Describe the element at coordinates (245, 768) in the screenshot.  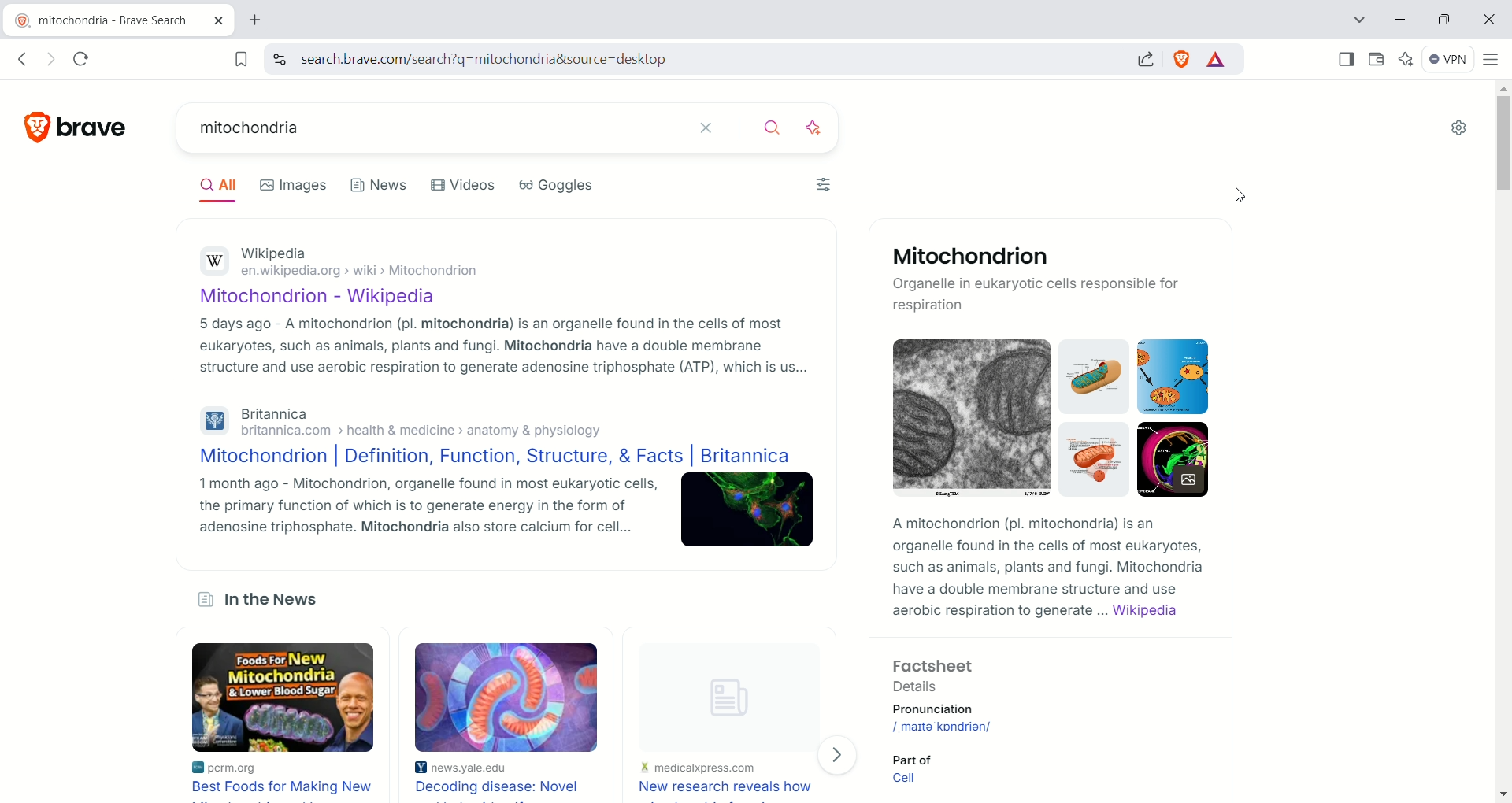
I see `pcrm.org` at that location.